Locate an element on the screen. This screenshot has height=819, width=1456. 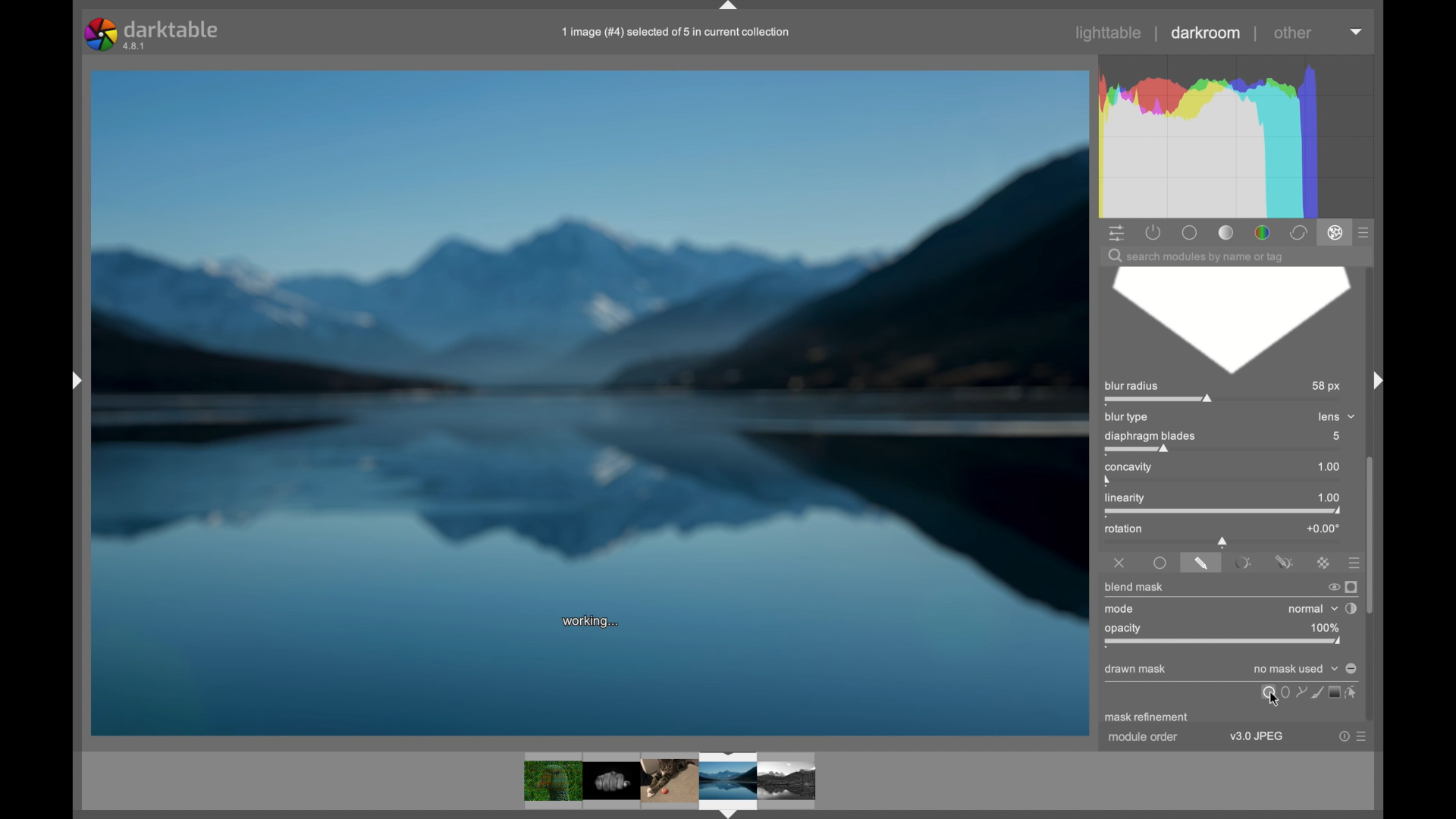
no mask used dropdown is located at coordinates (1294, 670).